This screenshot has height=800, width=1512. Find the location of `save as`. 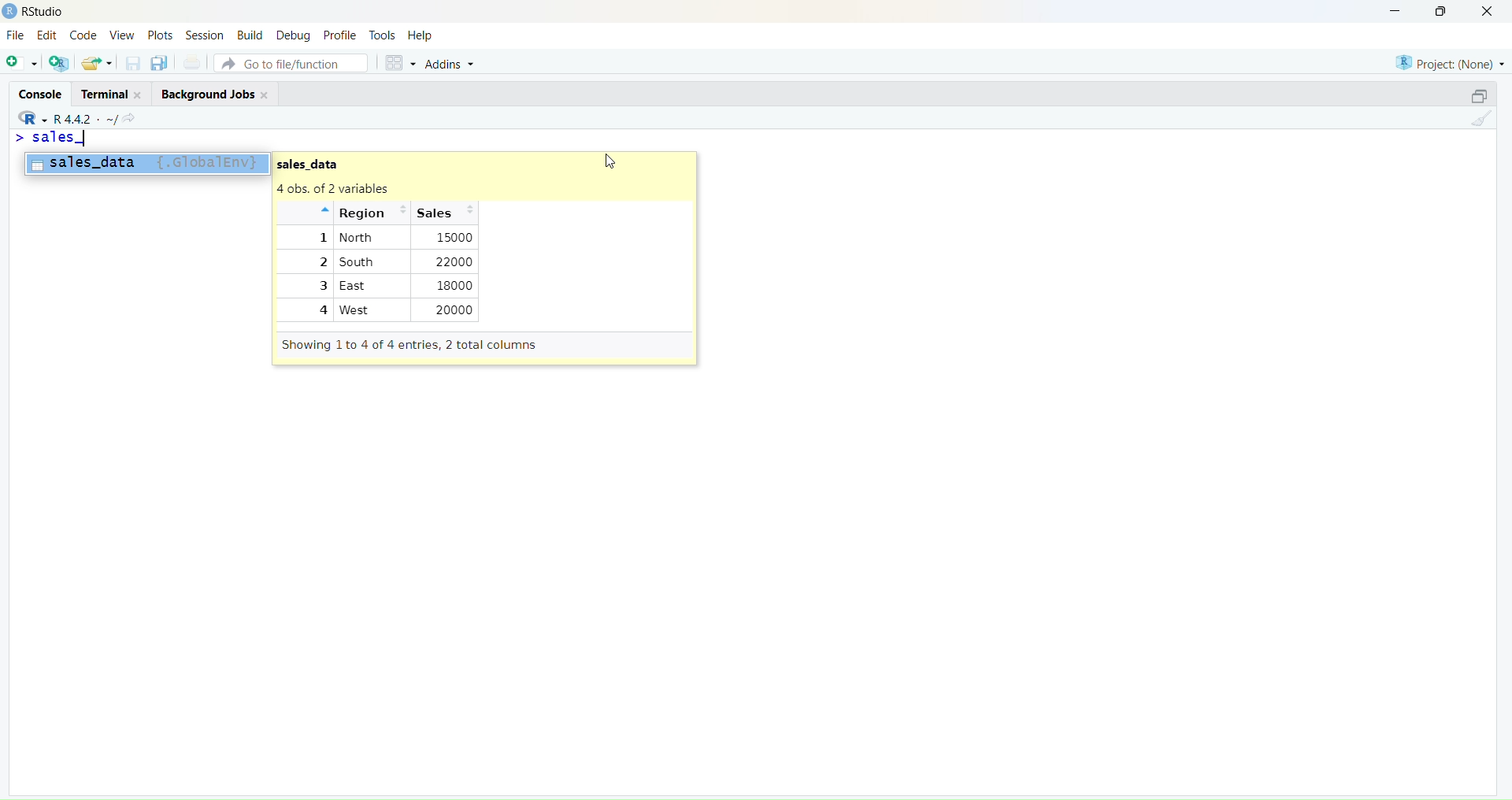

save as is located at coordinates (159, 64).